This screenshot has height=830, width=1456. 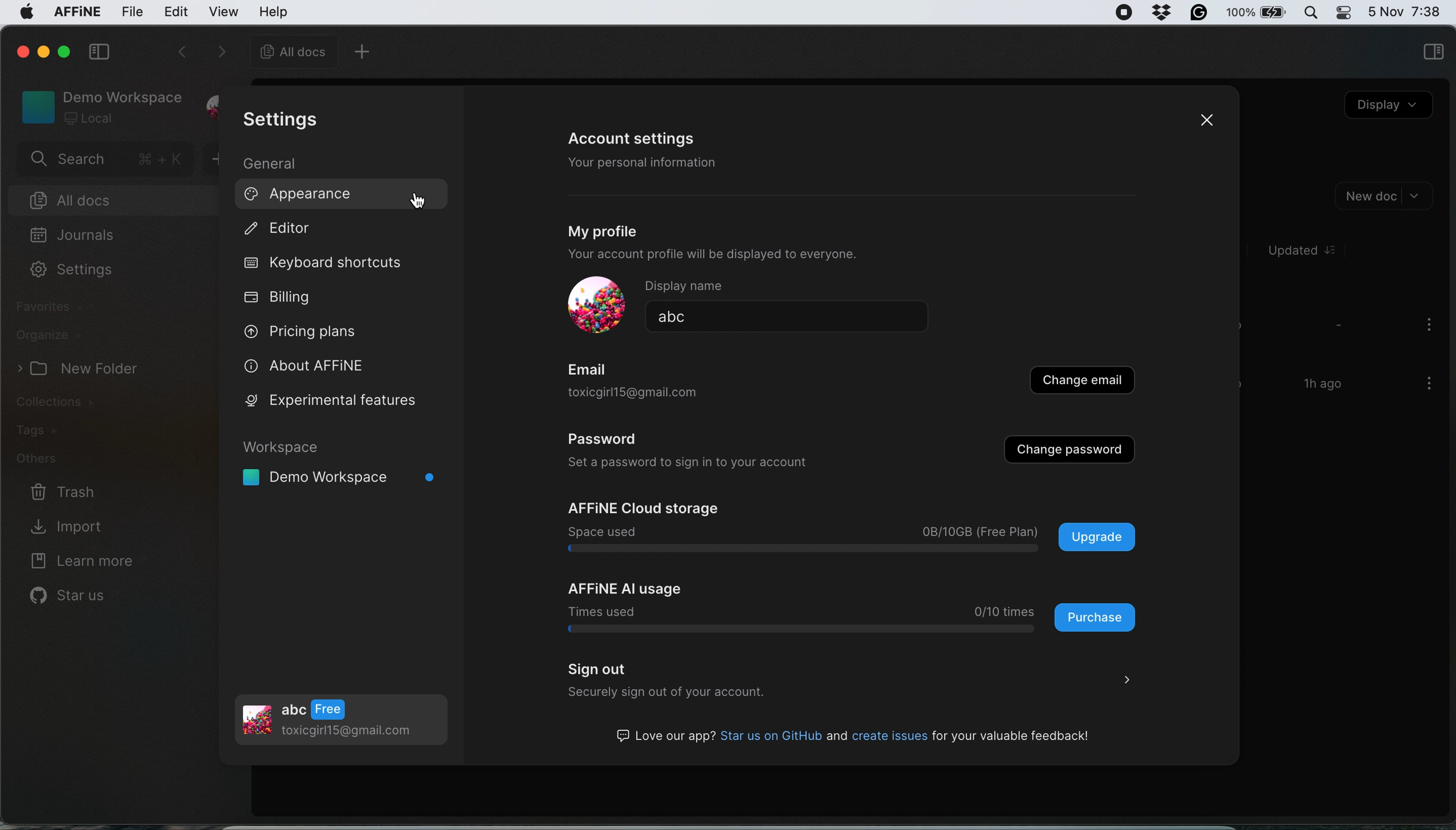 What do you see at coordinates (1386, 196) in the screenshot?
I see `new doc` at bounding box center [1386, 196].